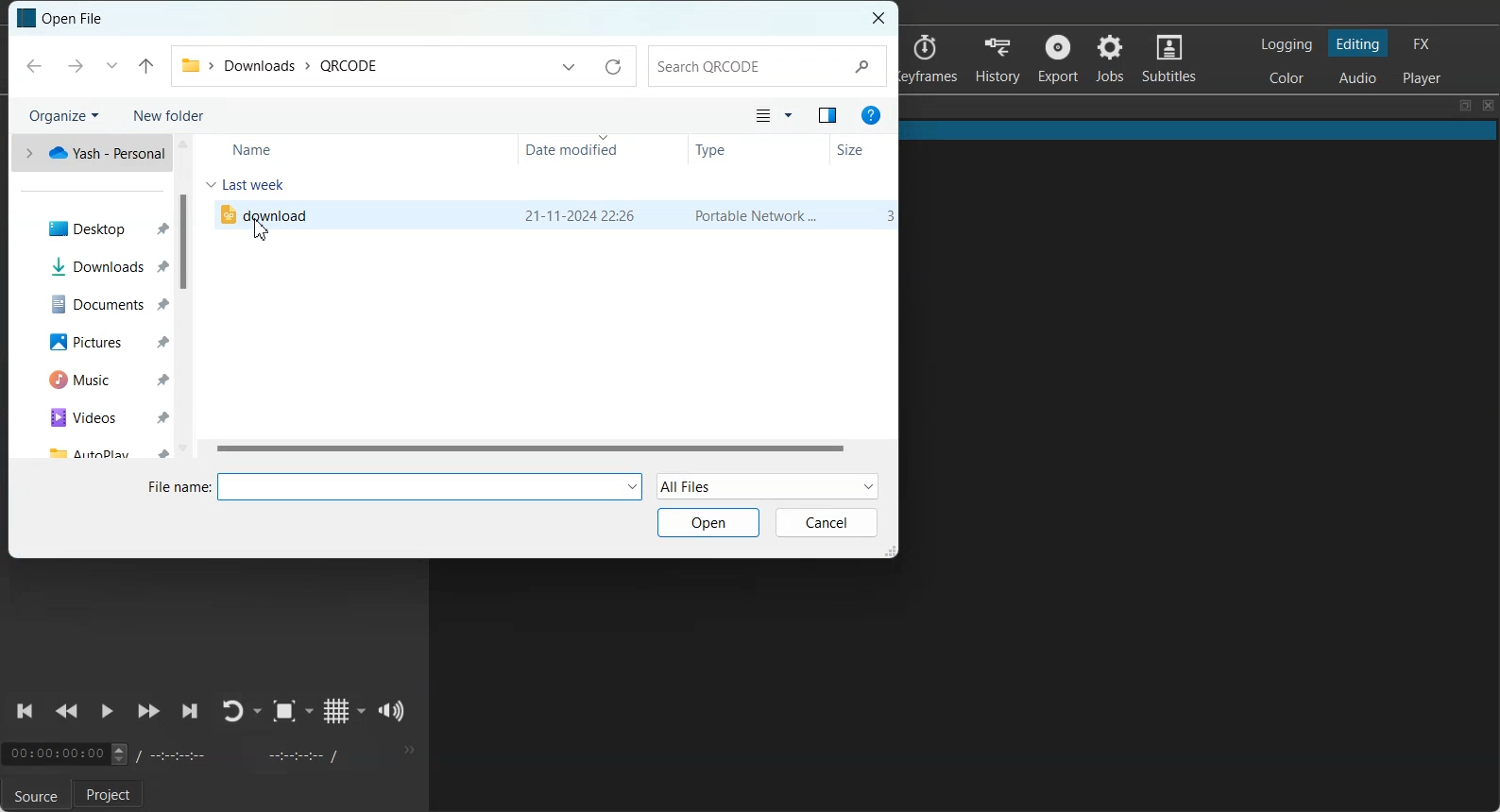 This screenshot has width=1500, height=812. Describe the element at coordinates (731, 148) in the screenshot. I see `Type` at that location.